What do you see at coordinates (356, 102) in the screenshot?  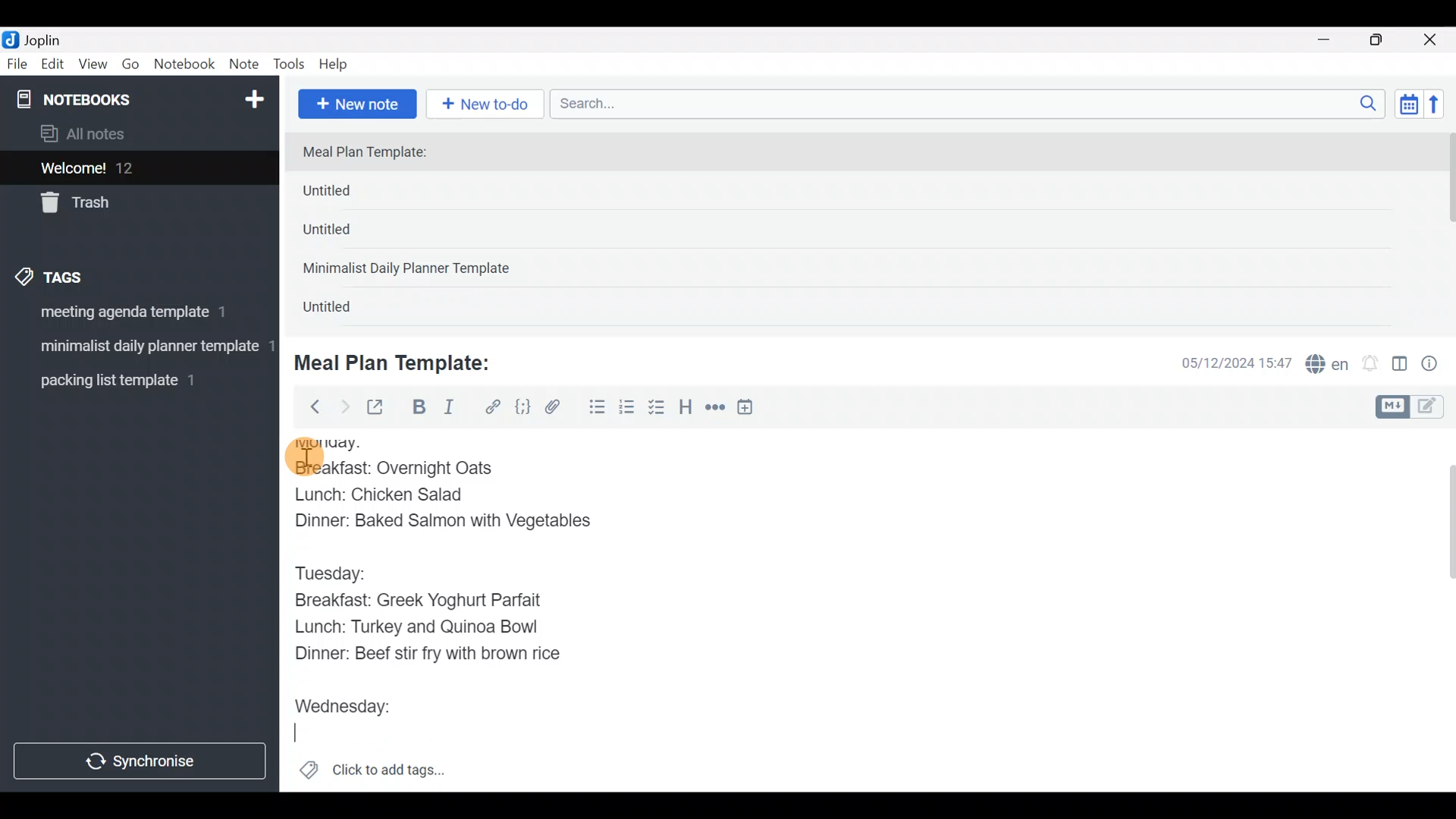 I see `New note` at bounding box center [356, 102].